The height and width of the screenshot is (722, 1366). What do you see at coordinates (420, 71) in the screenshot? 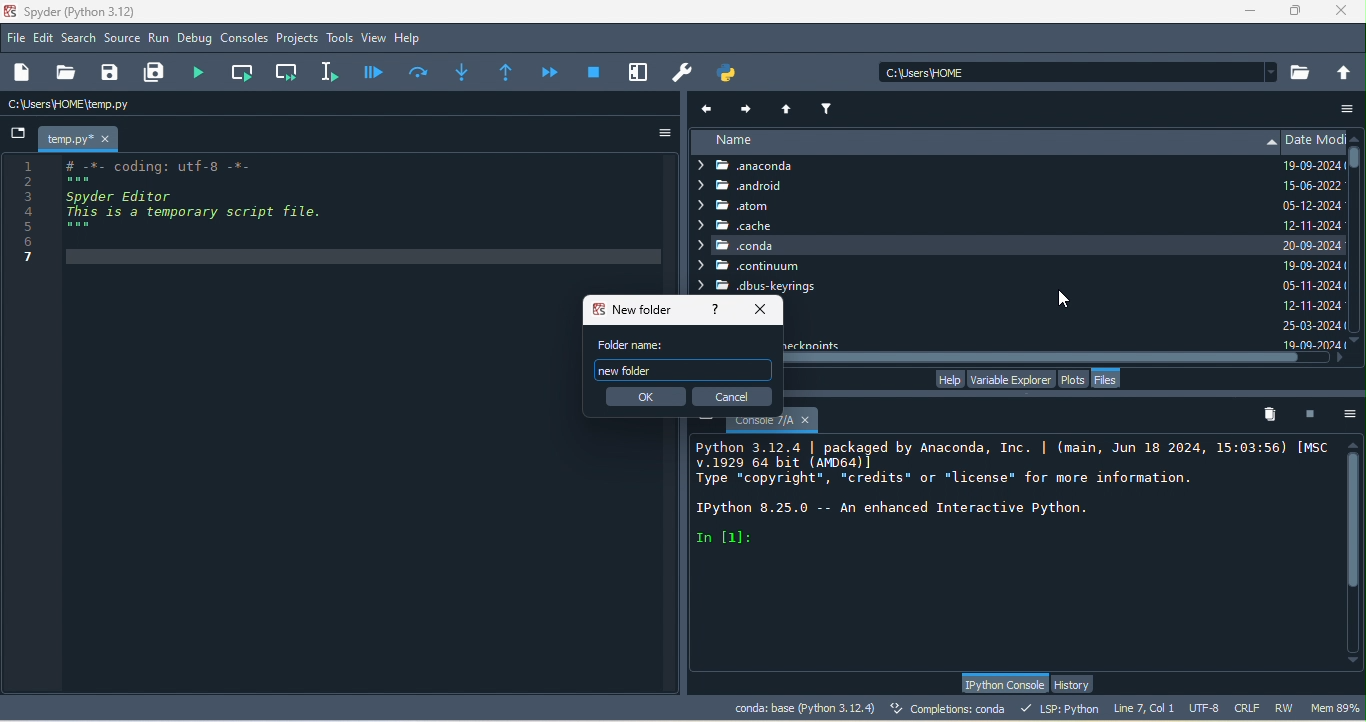
I see `execute current line ` at bounding box center [420, 71].